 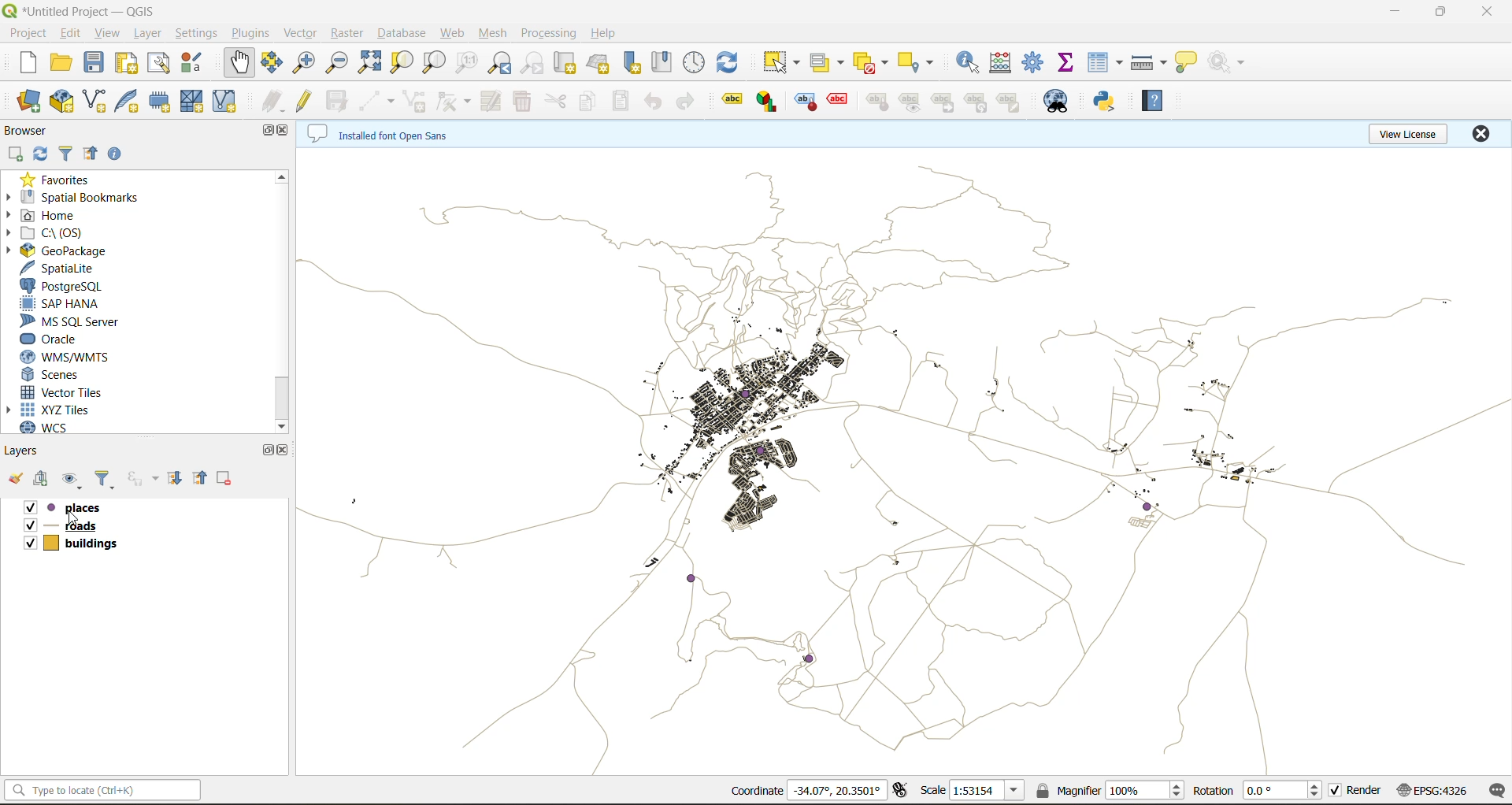 What do you see at coordinates (72, 304) in the screenshot?
I see `sap hana` at bounding box center [72, 304].